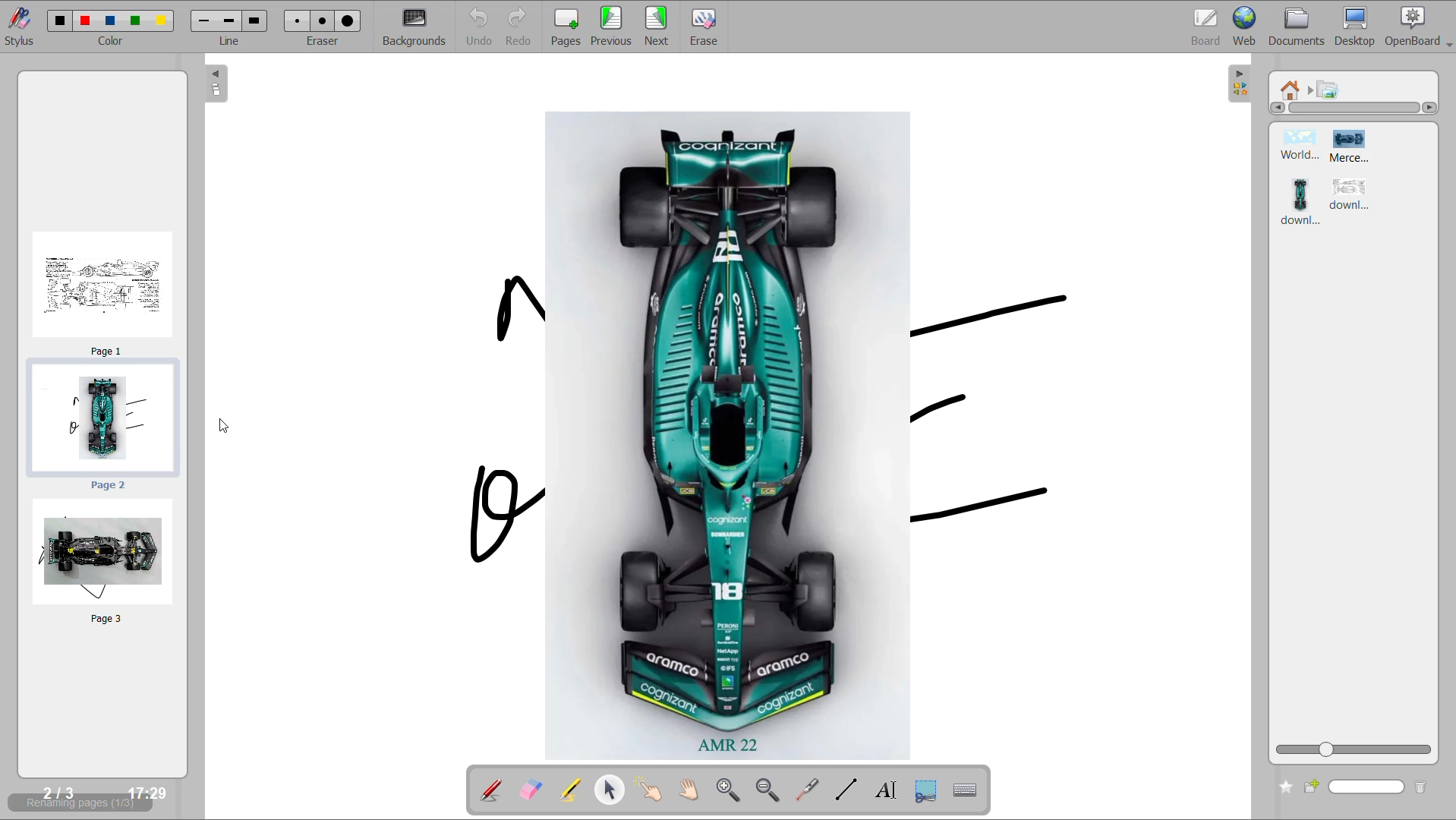 The image size is (1456, 820). I want to click on create virtual keyboard, so click(967, 791).